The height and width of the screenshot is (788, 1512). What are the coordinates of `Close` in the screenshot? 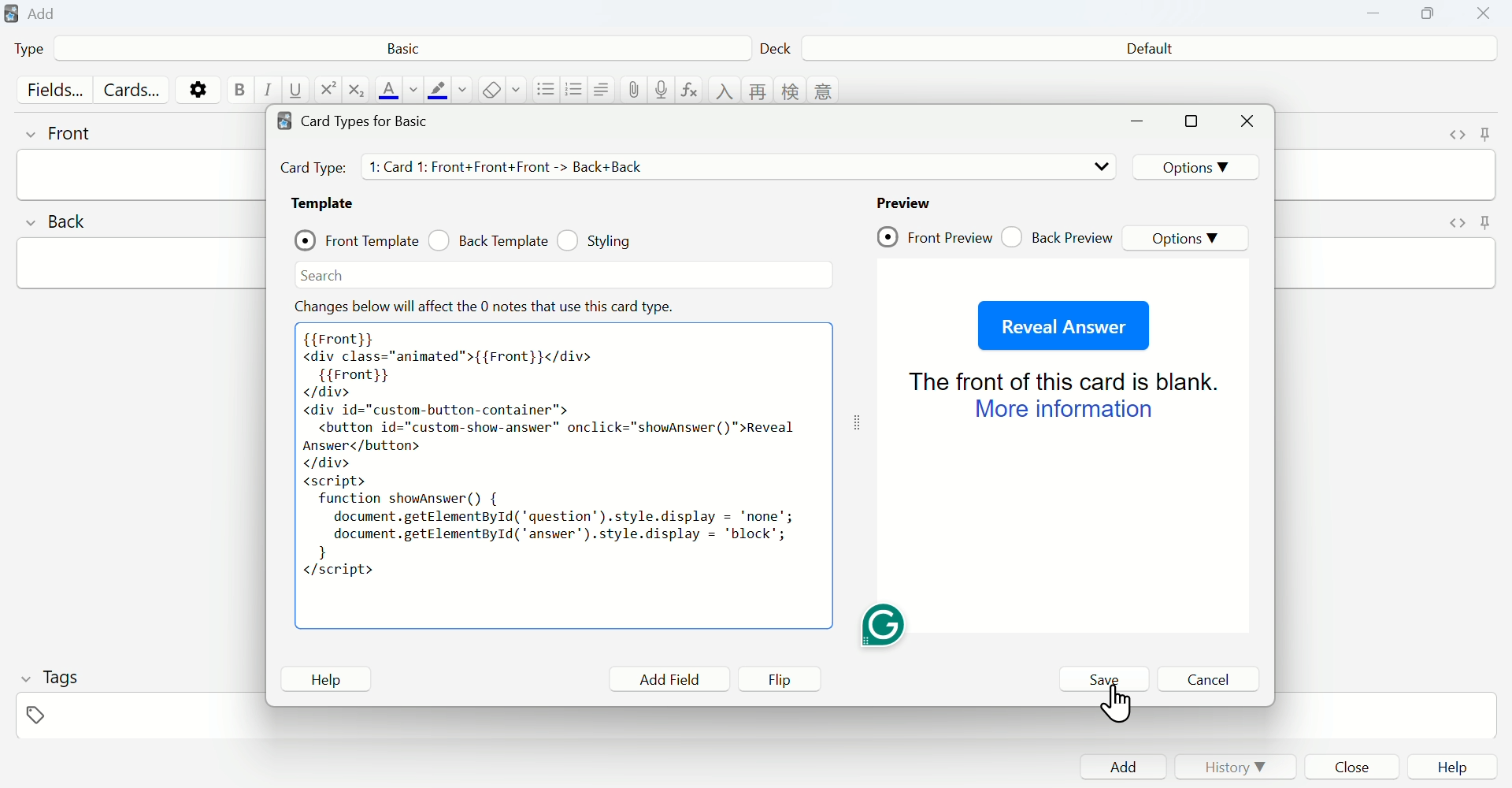 It's located at (1247, 123).